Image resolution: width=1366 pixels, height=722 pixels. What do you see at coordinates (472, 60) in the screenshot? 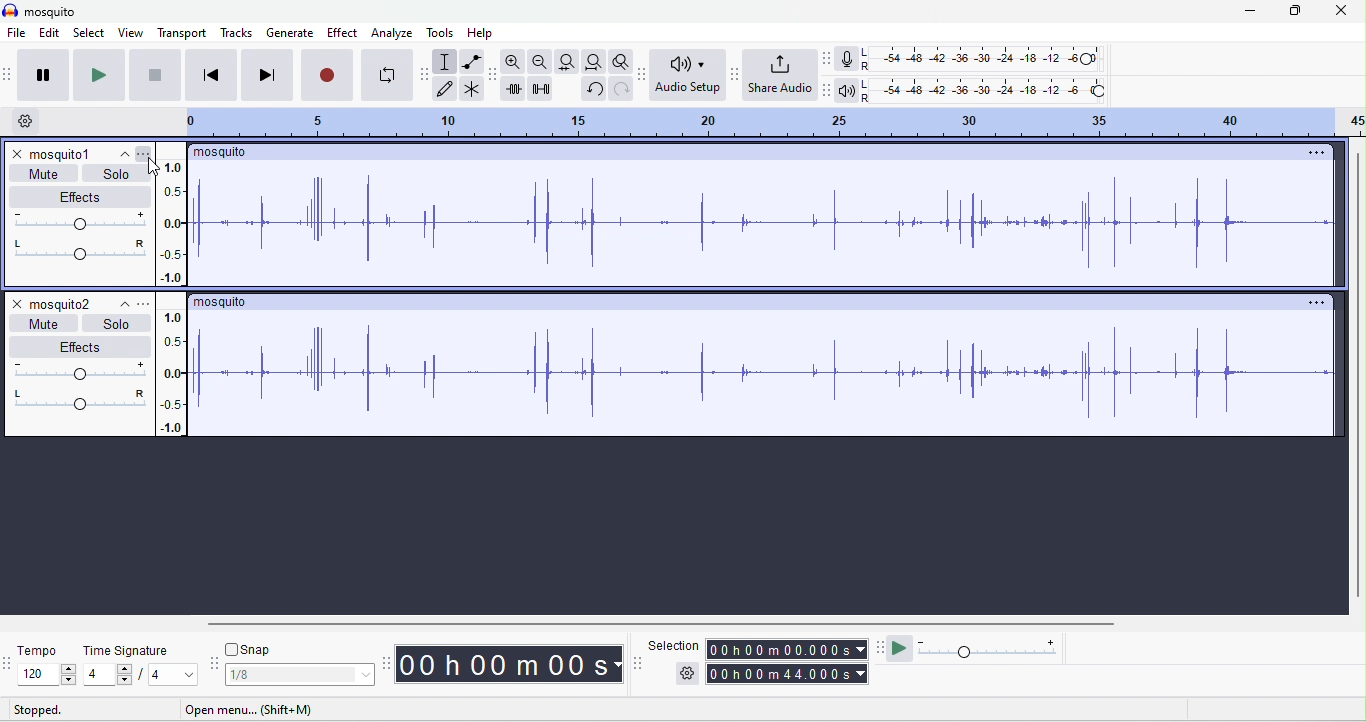
I see `envelop` at bounding box center [472, 60].